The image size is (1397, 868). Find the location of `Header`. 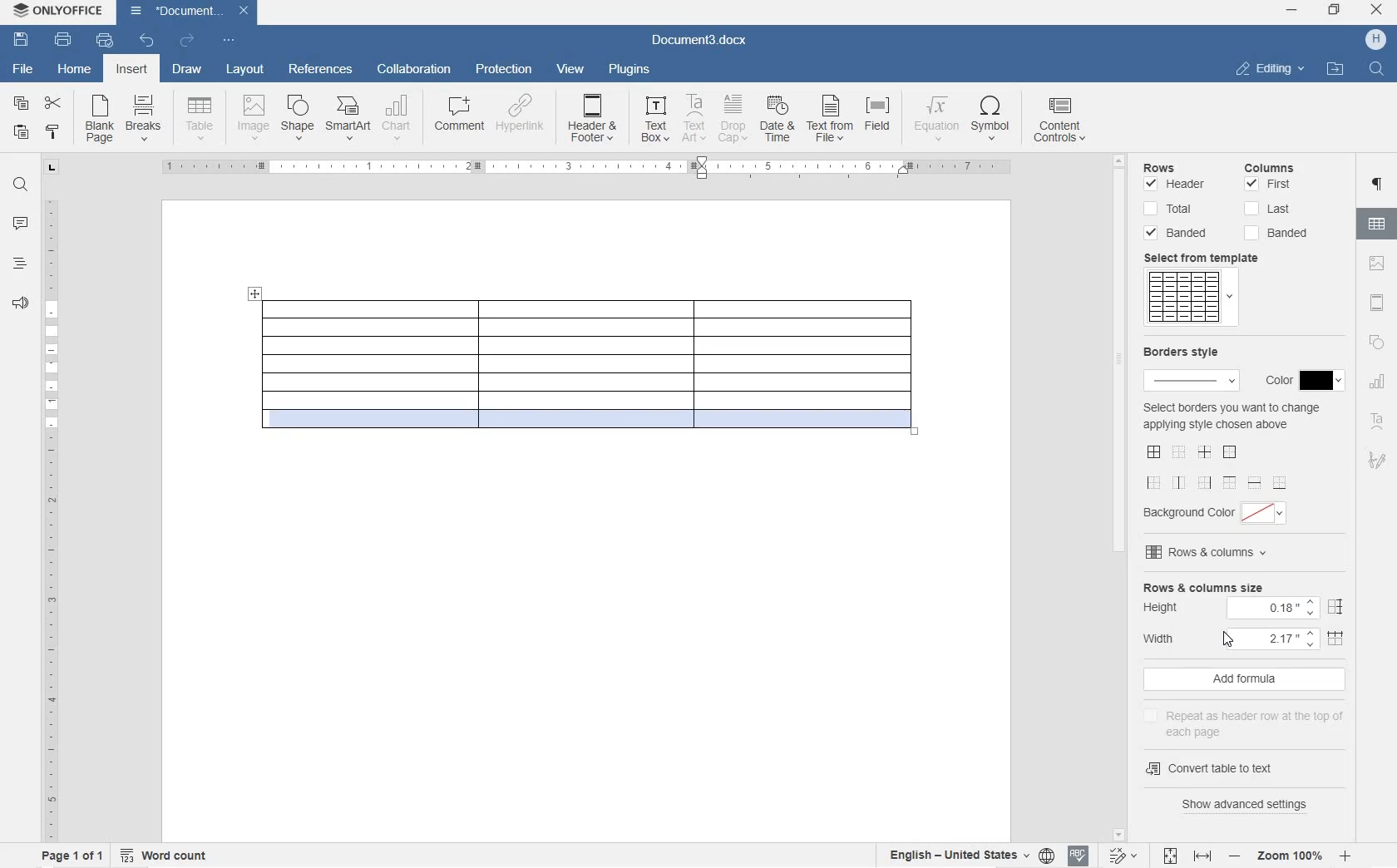

Header is located at coordinates (1176, 186).